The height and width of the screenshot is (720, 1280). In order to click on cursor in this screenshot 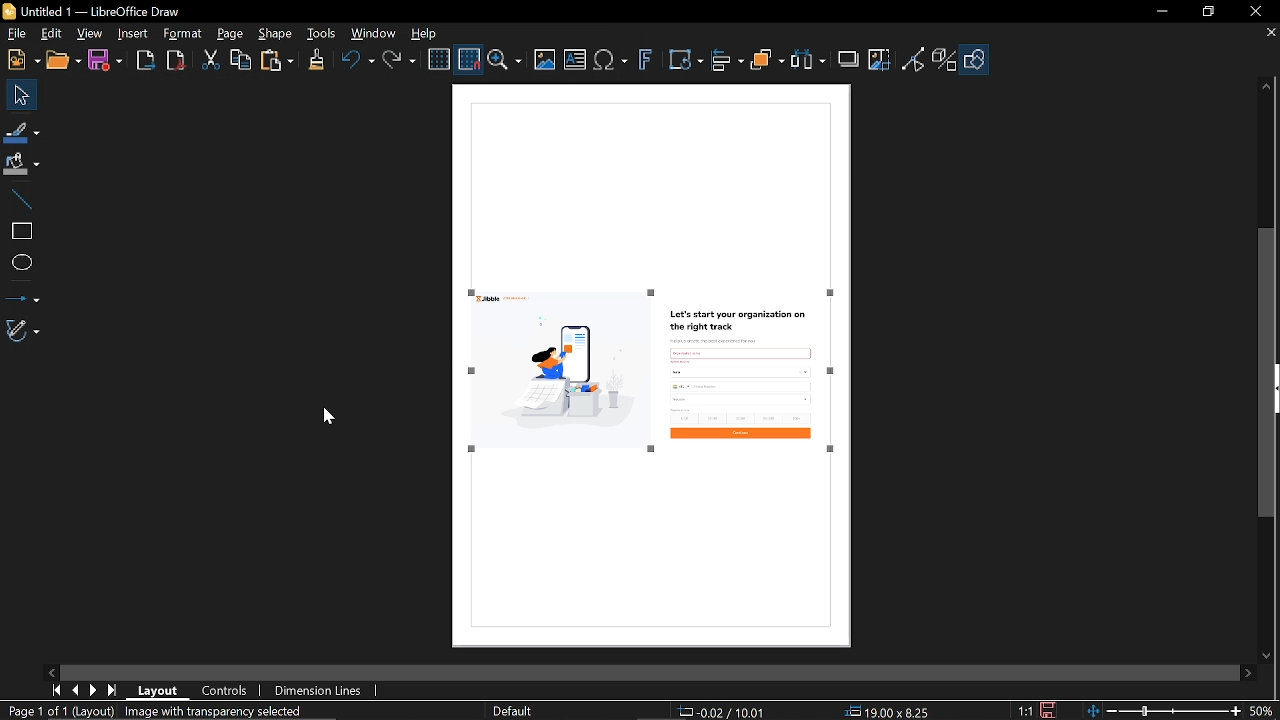, I will do `click(331, 416)`.